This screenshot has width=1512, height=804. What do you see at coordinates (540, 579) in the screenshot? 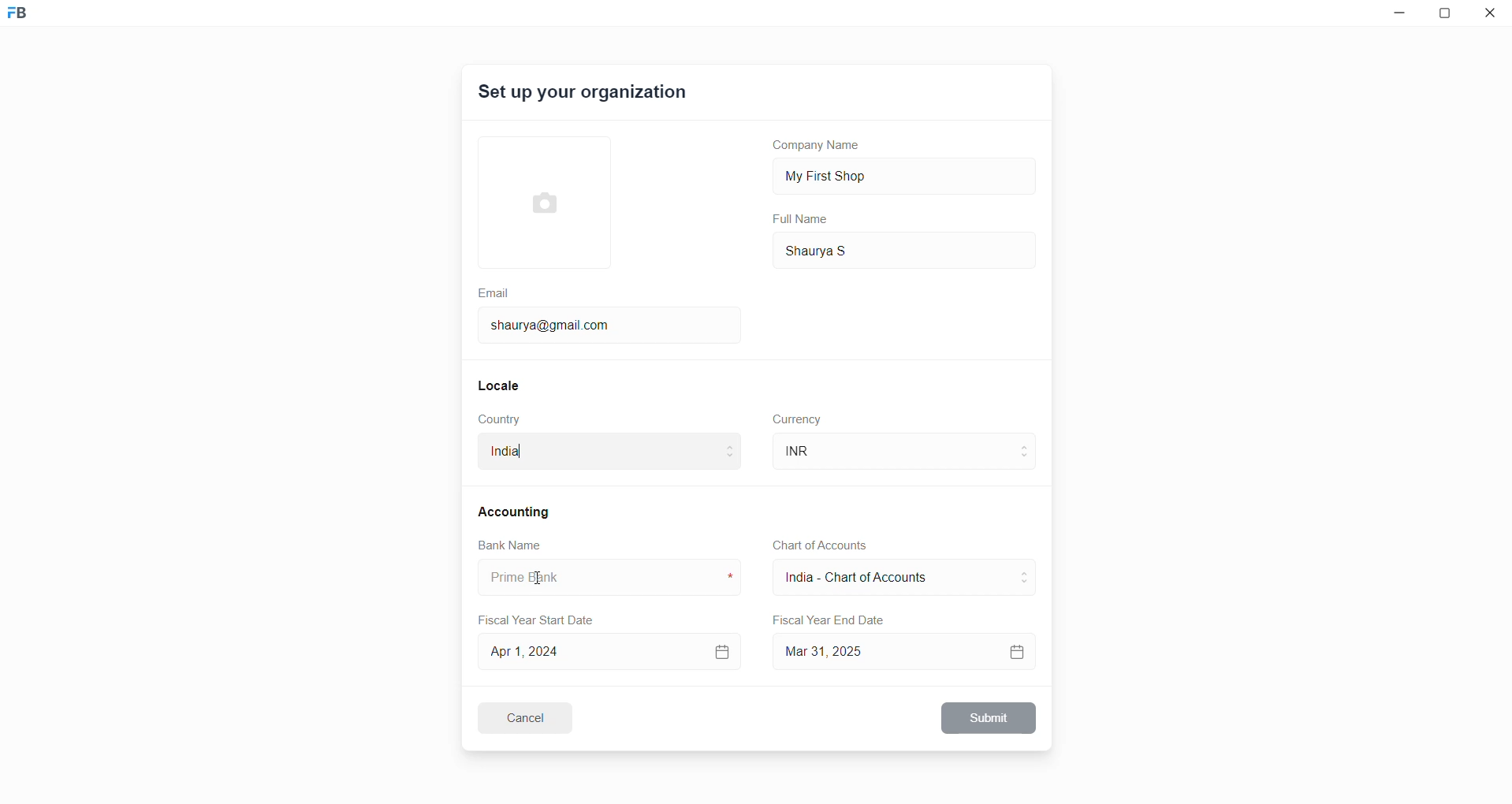
I see `cursor` at bounding box center [540, 579].